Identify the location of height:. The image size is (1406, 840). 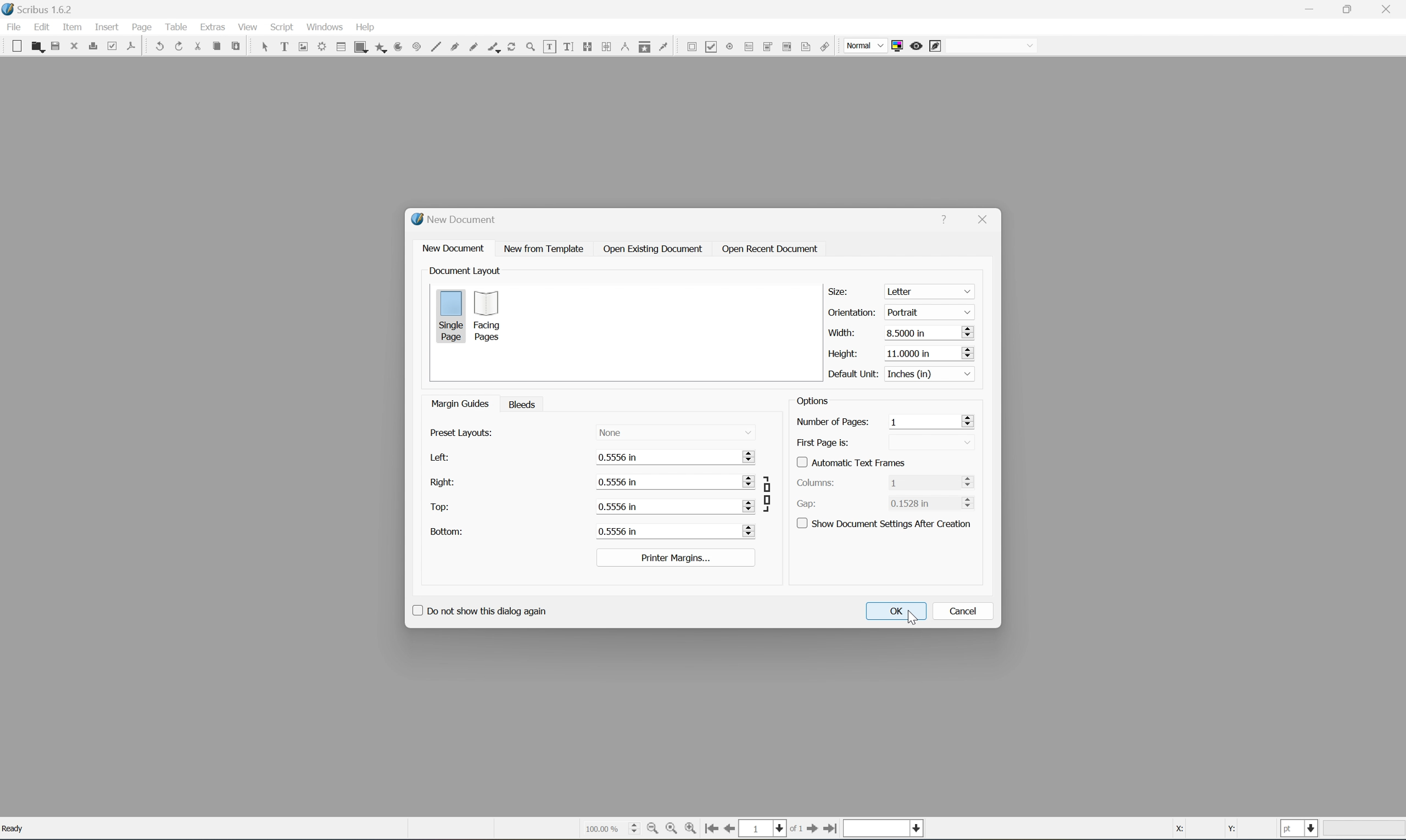
(845, 354).